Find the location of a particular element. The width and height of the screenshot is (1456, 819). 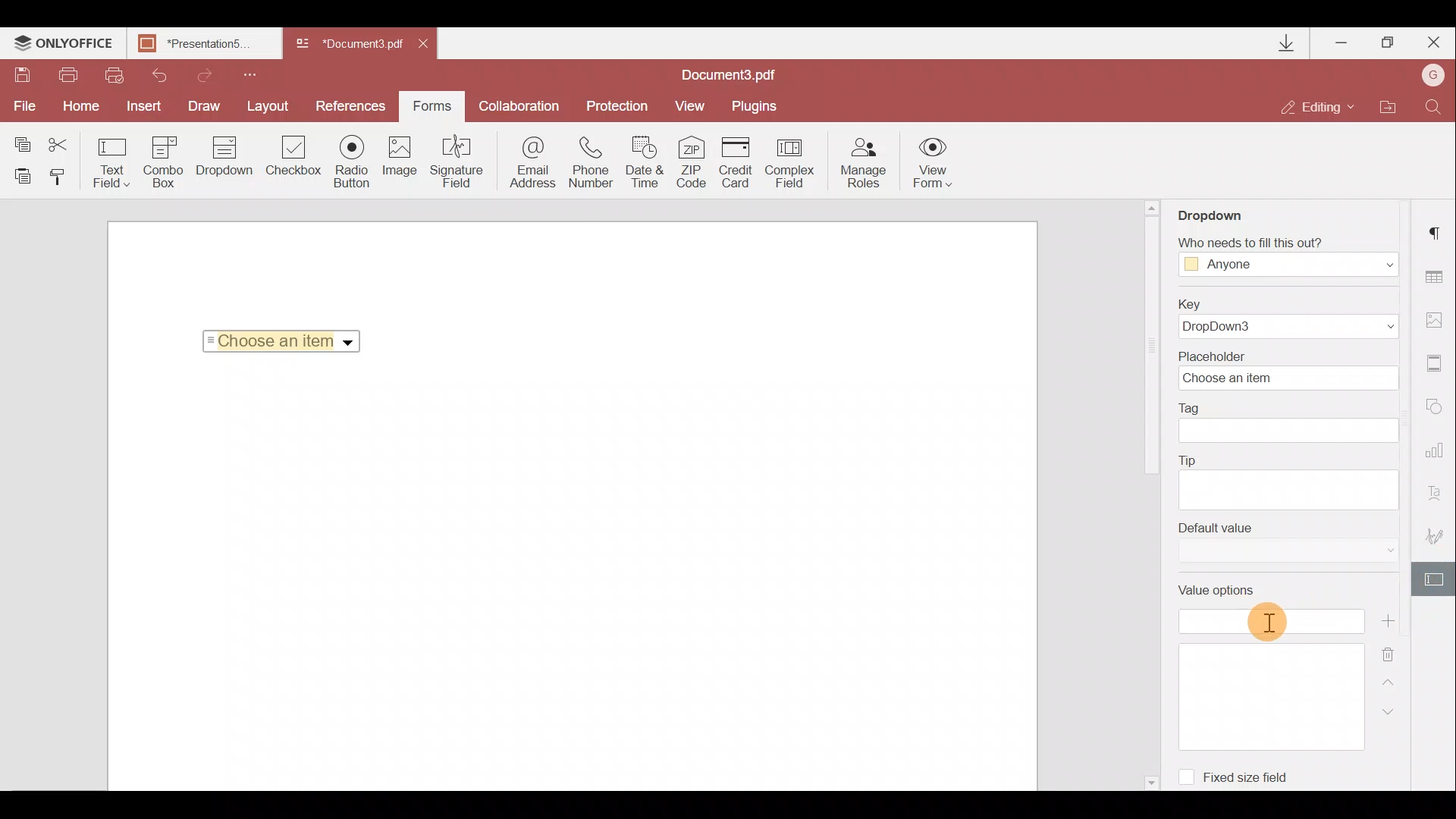

Selected Item is located at coordinates (277, 340).